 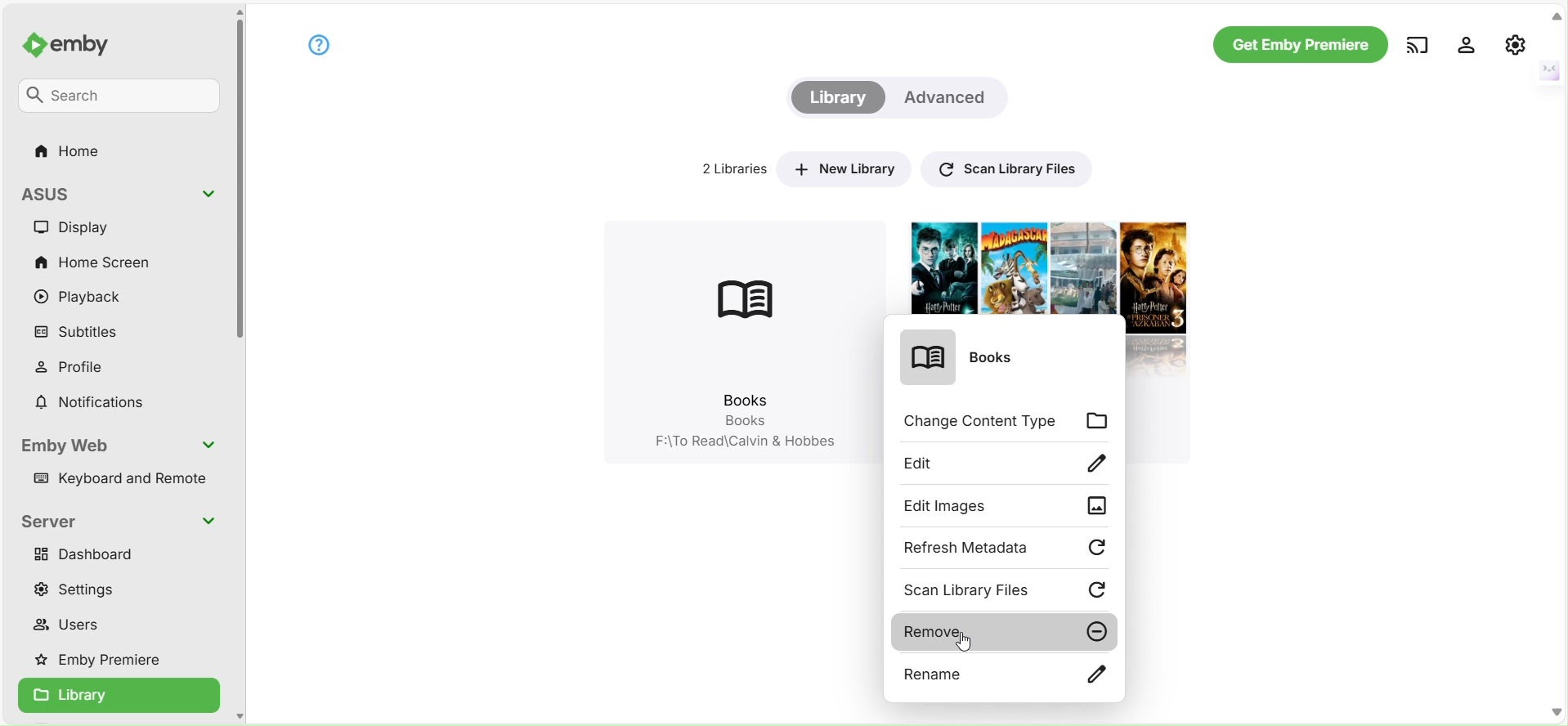 I want to click on Search Bar, so click(x=120, y=97).